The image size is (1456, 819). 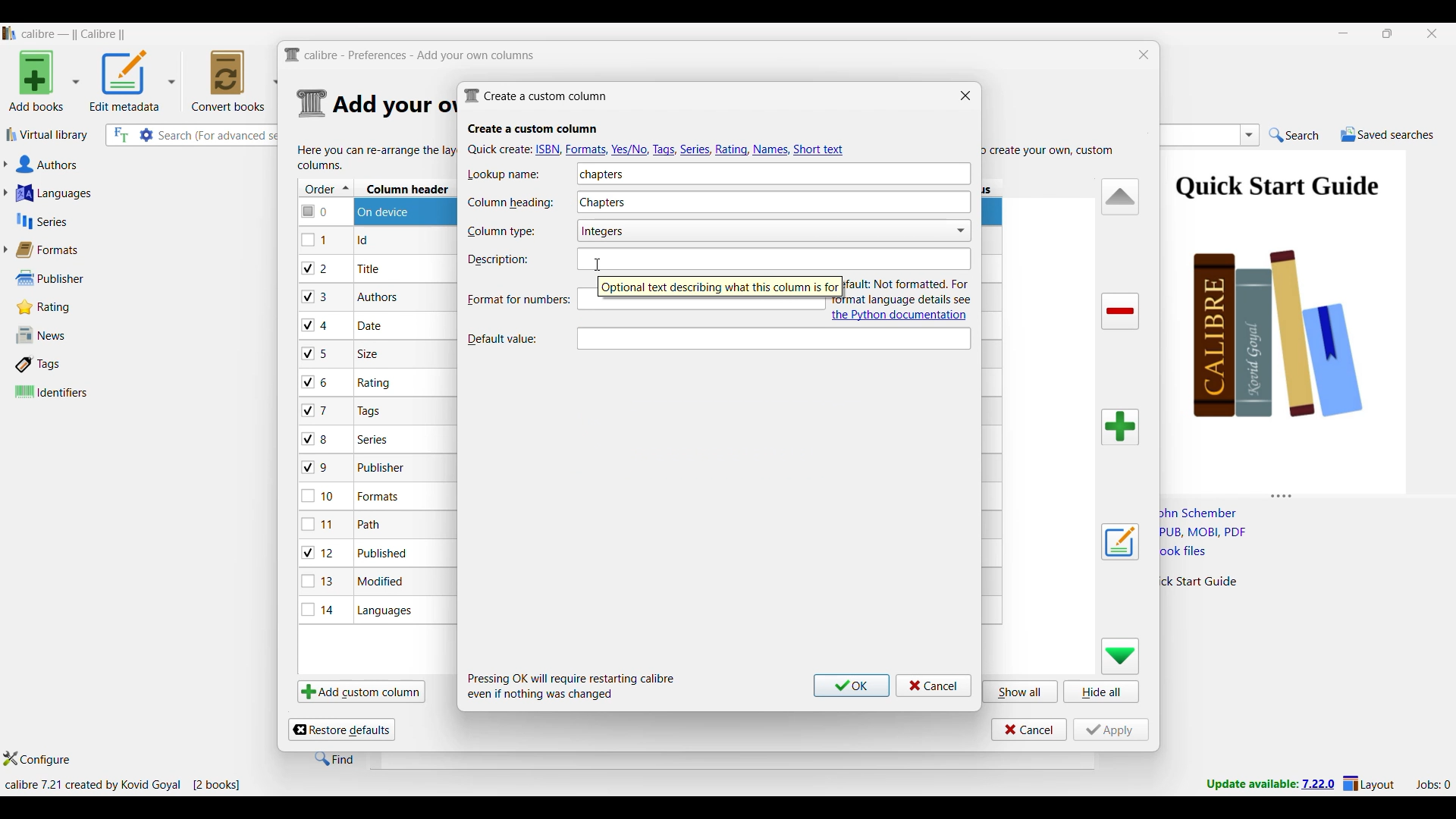 What do you see at coordinates (500, 232) in the screenshot?
I see `Indicates Column type text box` at bounding box center [500, 232].